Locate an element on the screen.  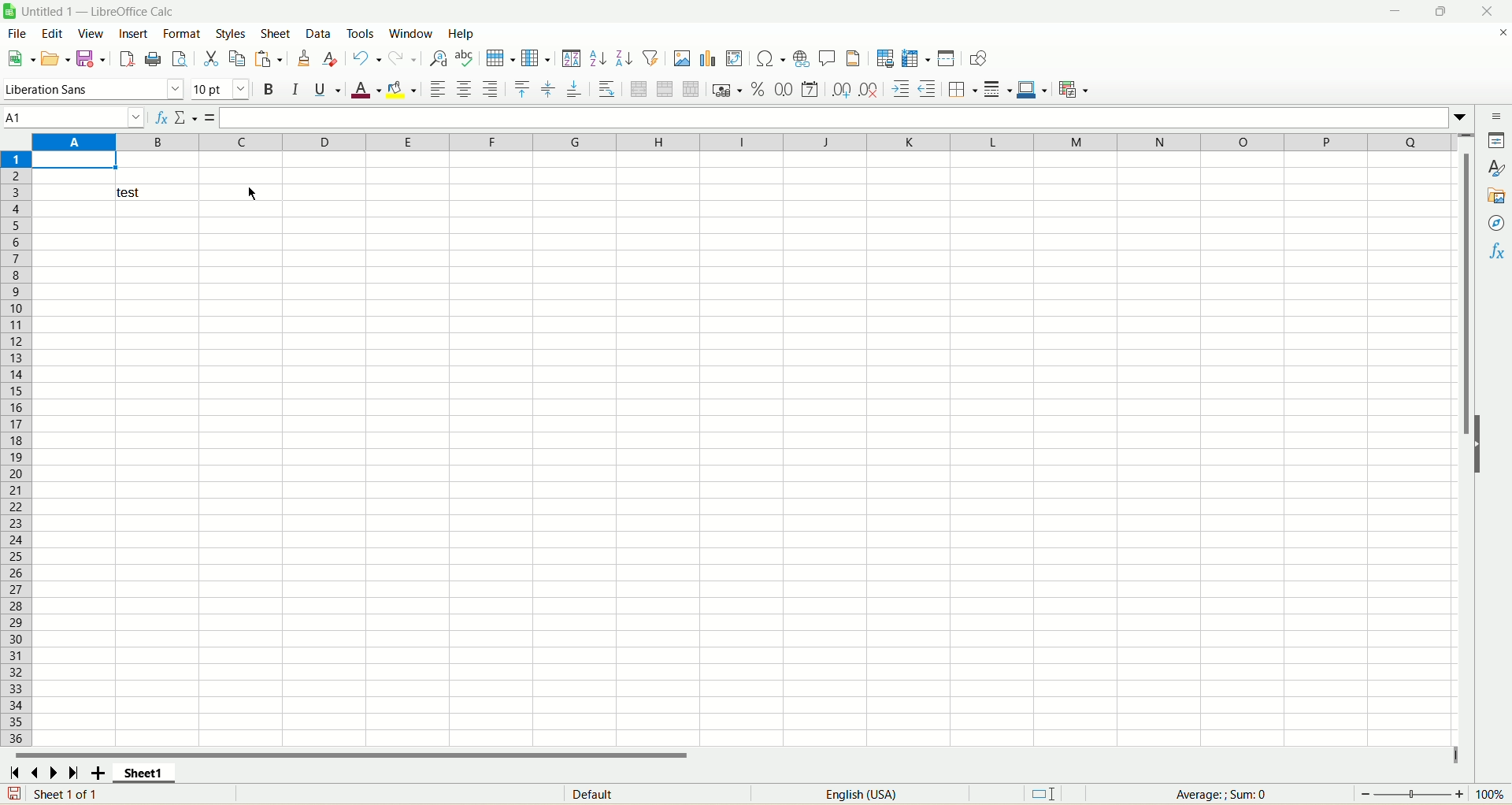
format as percent is located at coordinates (758, 89).